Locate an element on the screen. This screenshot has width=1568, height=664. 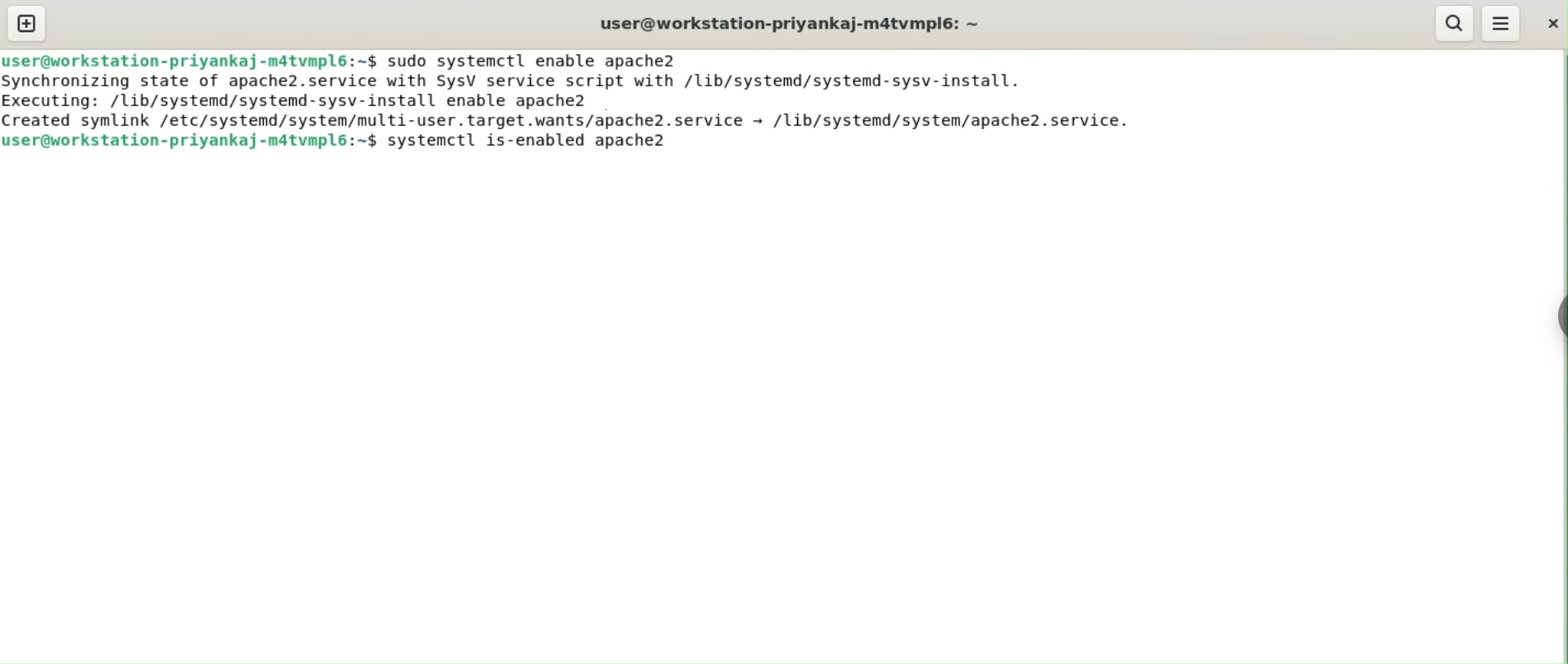
Synchronizing state of apache2.service with SysV service script with /lib/systemd/systemd-sysv-install.
Executing: /lib/systemd/systemd-sysv-install enable apache2
Created symlink /etc/systemd/system/multi-user.target.wants/apache2.service - /lib/systemd/system/apache2.service. is located at coordinates (574, 100).